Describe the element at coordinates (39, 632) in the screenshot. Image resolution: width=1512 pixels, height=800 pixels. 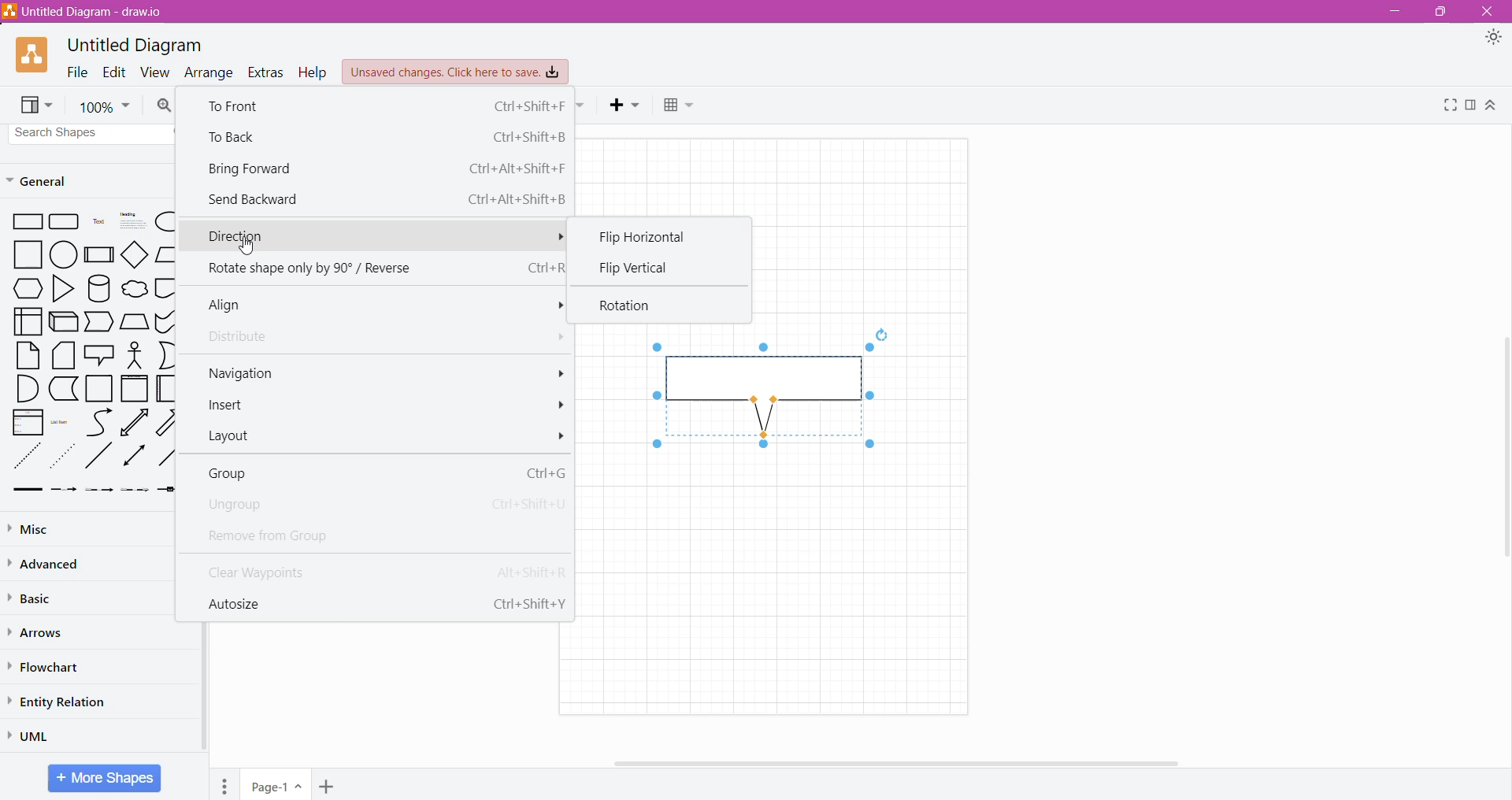
I see `Arrows` at that location.